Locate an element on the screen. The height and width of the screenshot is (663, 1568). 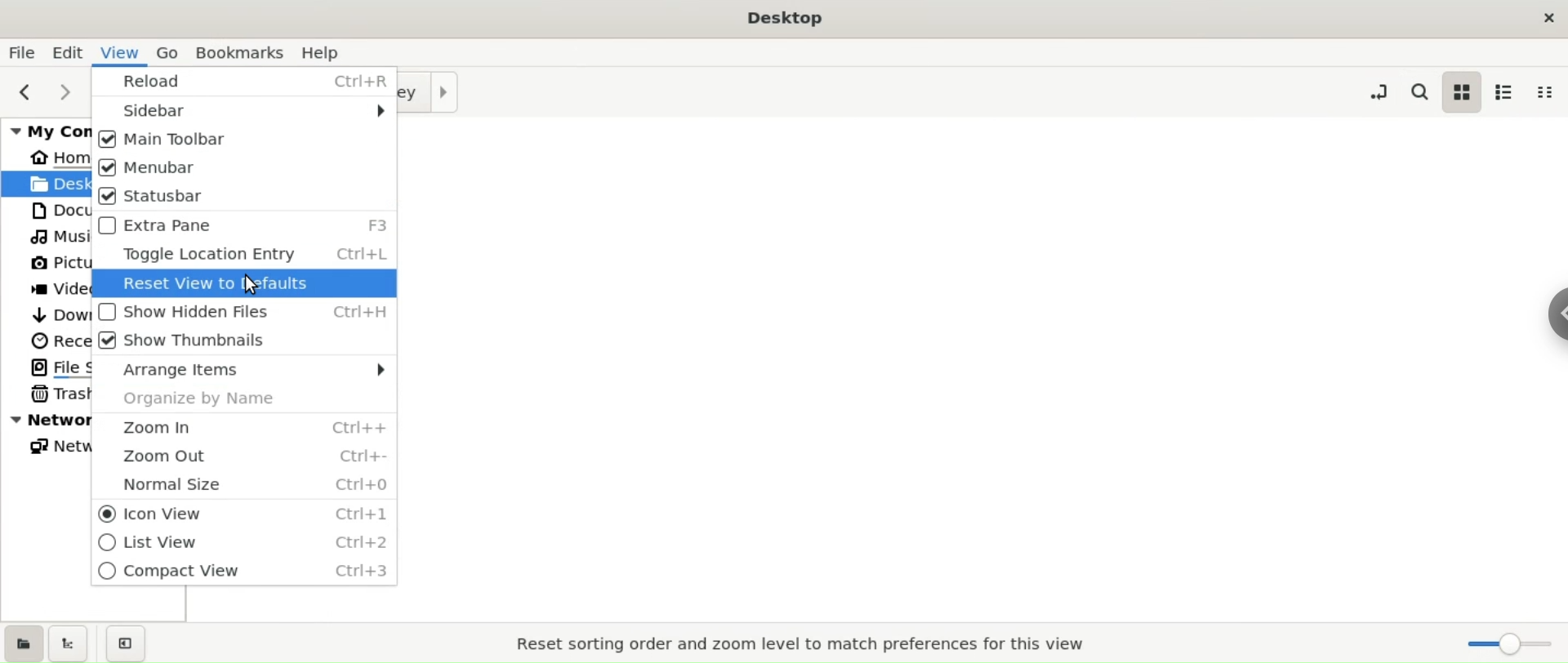
show thumbnalis is located at coordinates (245, 340).